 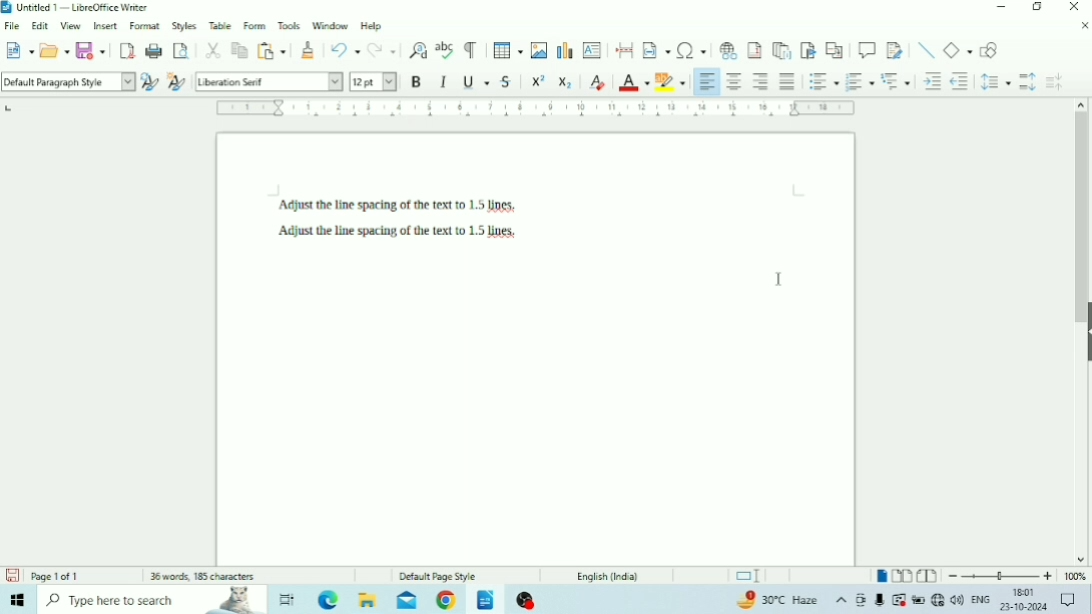 I want to click on Zoom Out/In, so click(x=1000, y=575).